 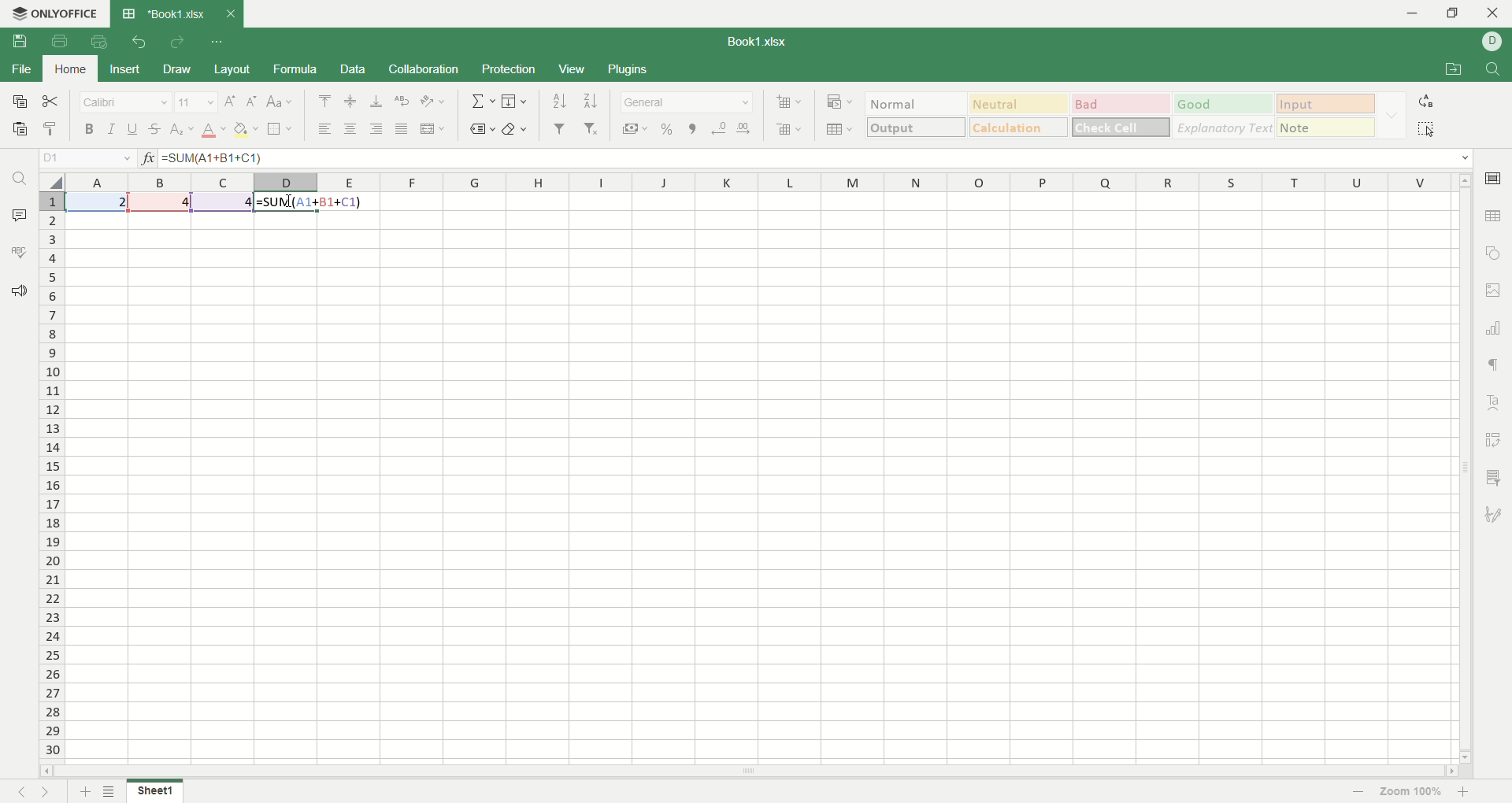 What do you see at coordinates (323, 128) in the screenshot?
I see `align left` at bounding box center [323, 128].